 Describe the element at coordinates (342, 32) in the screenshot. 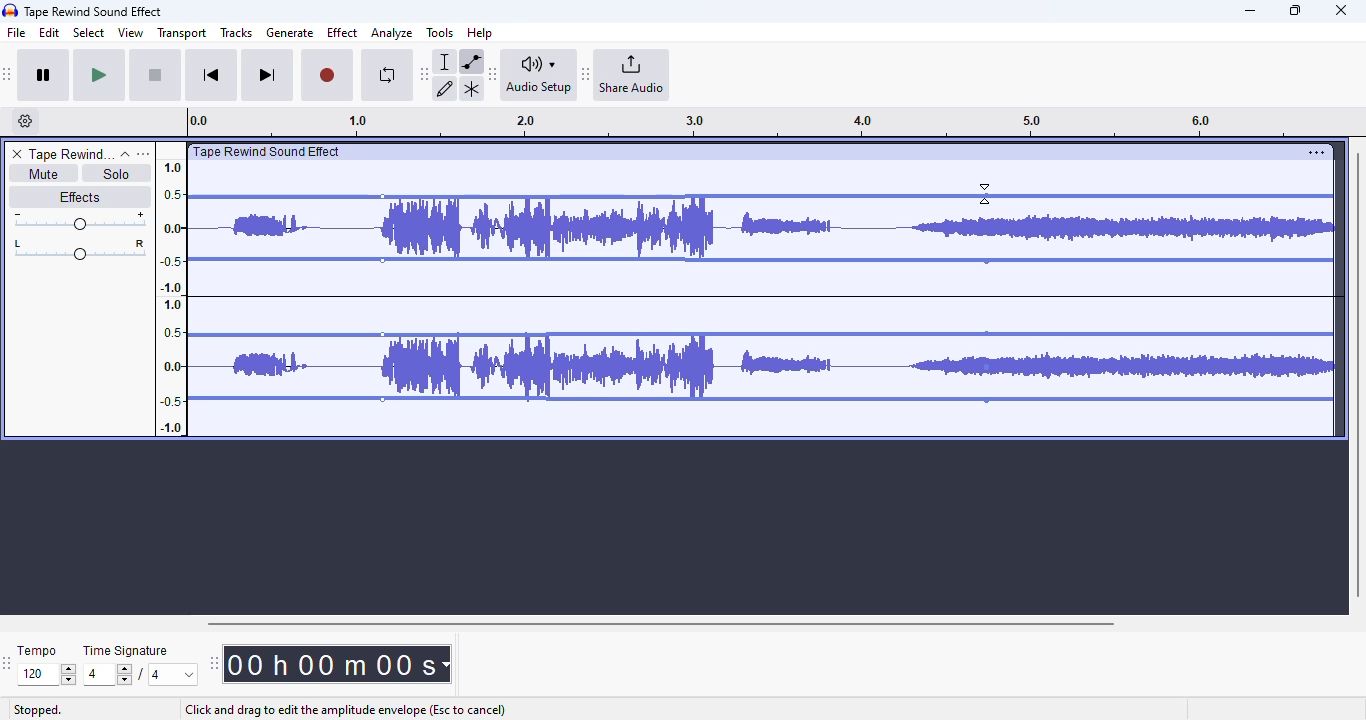

I see `effect` at that location.